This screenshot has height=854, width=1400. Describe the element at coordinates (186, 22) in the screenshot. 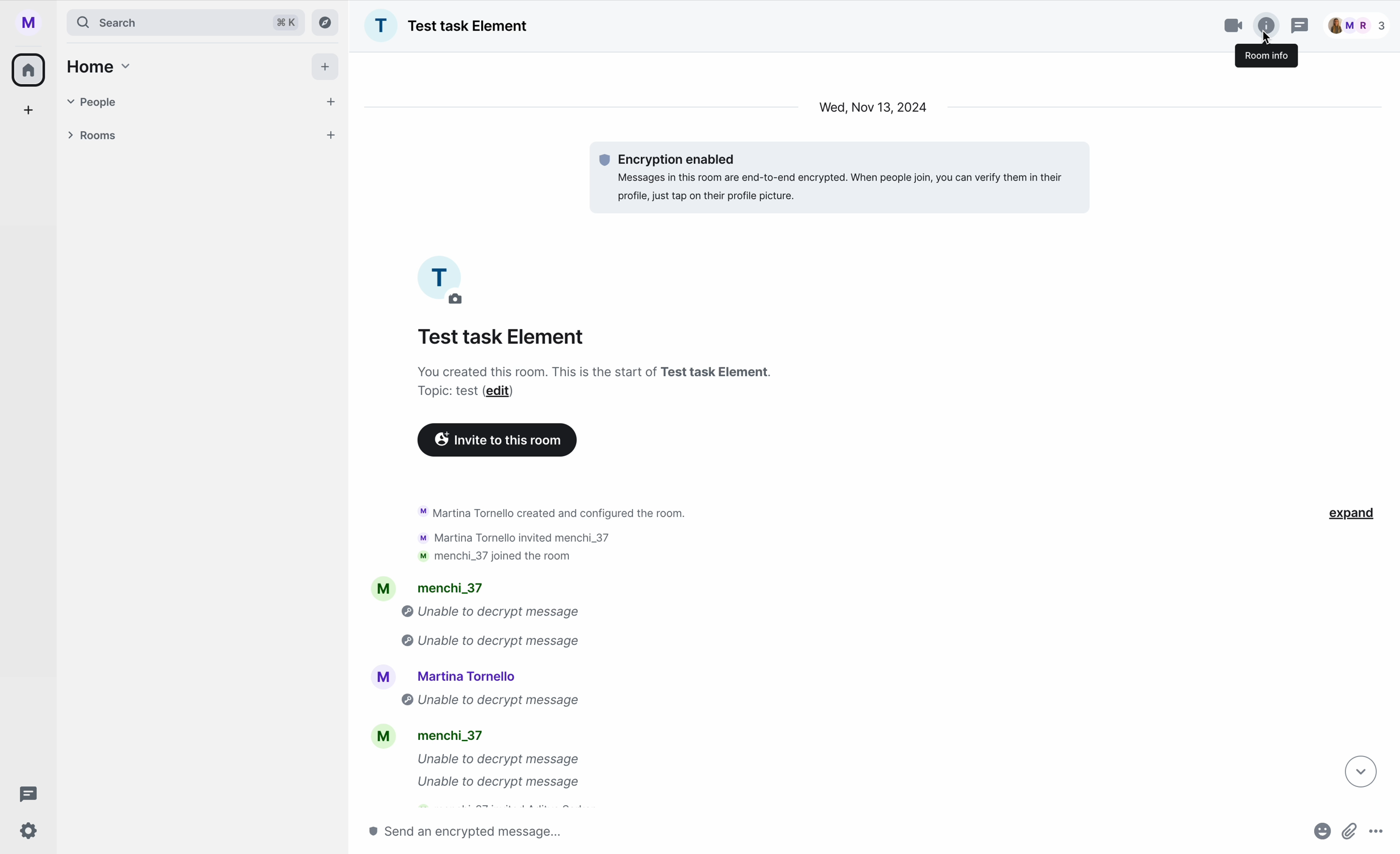

I see `search bar` at that location.